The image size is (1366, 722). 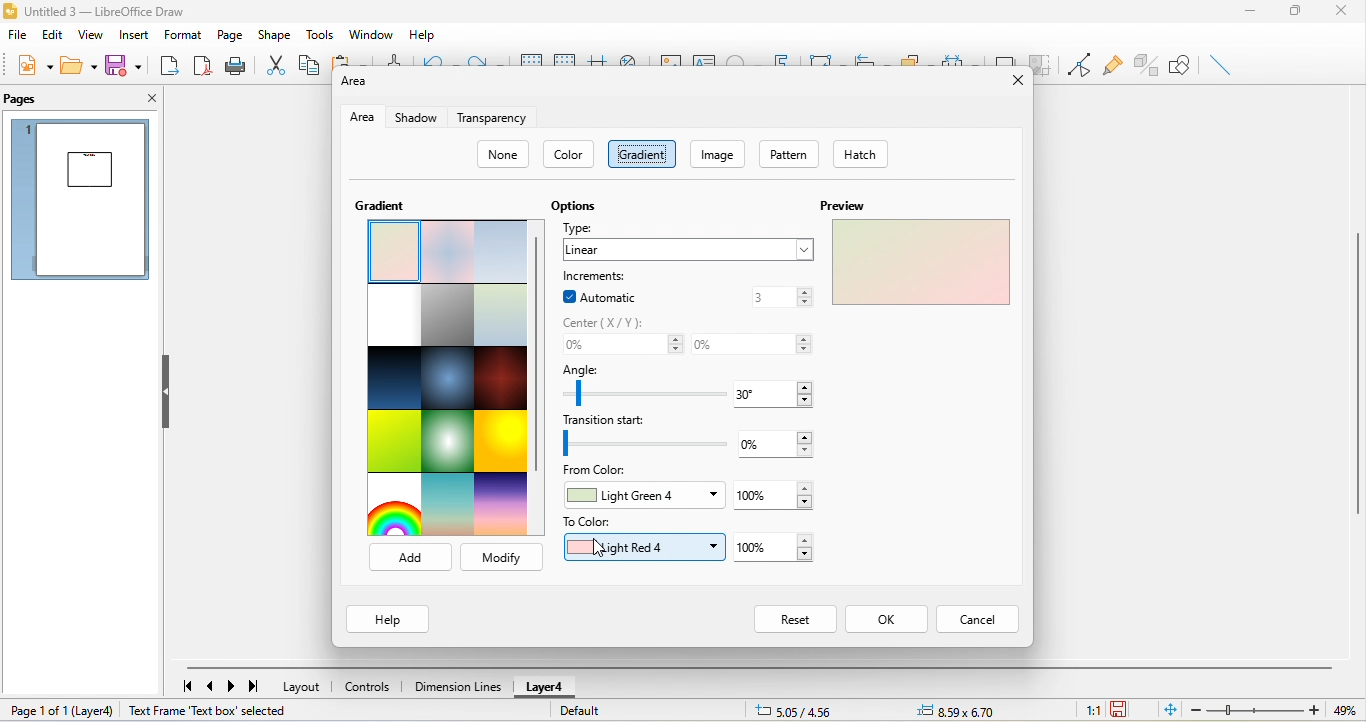 What do you see at coordinates (78, 201) in the screenshot?
I see `page preview` at bounding box center [78, 201].